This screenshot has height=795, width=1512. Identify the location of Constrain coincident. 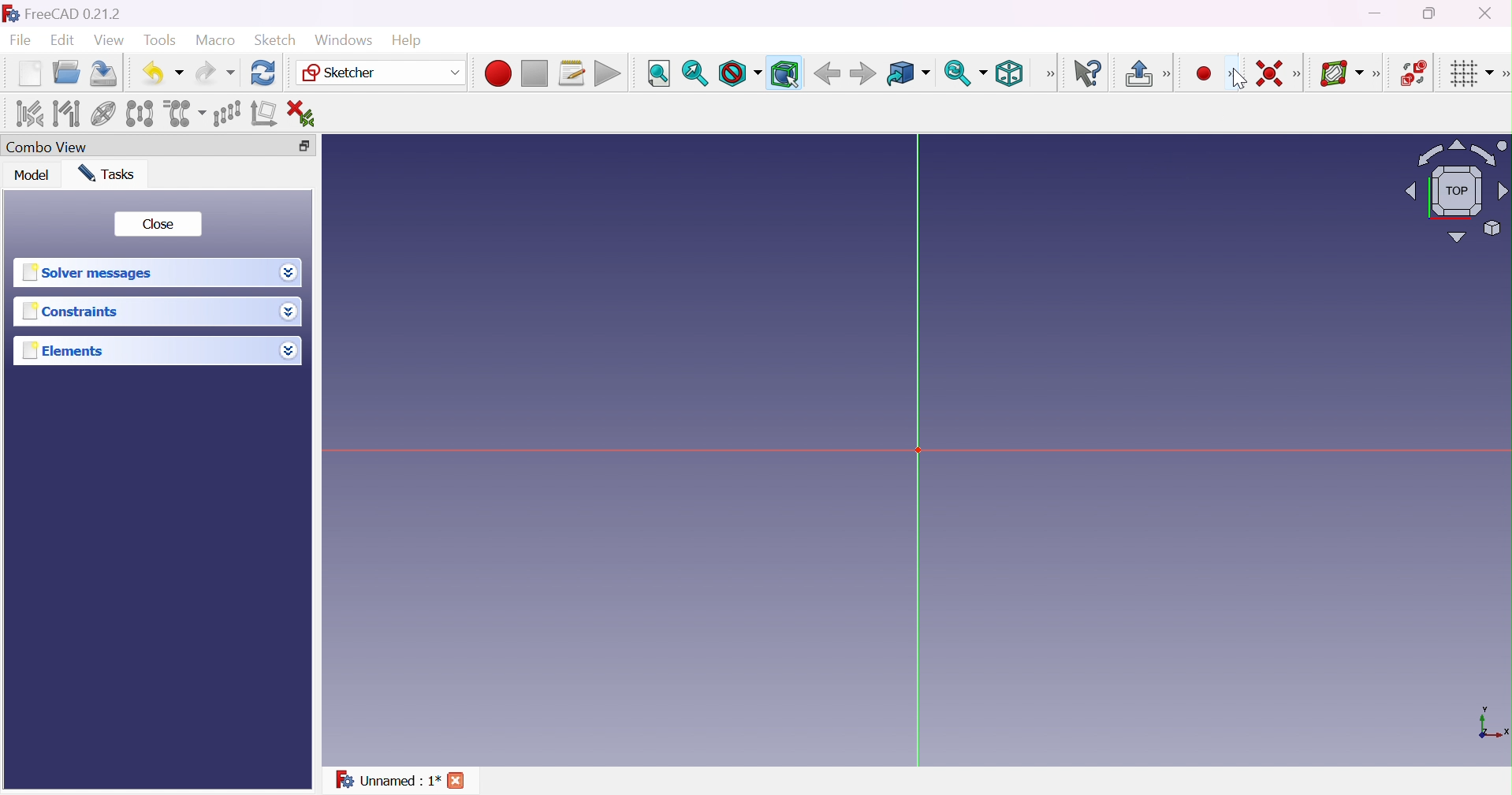
(1267, 73).